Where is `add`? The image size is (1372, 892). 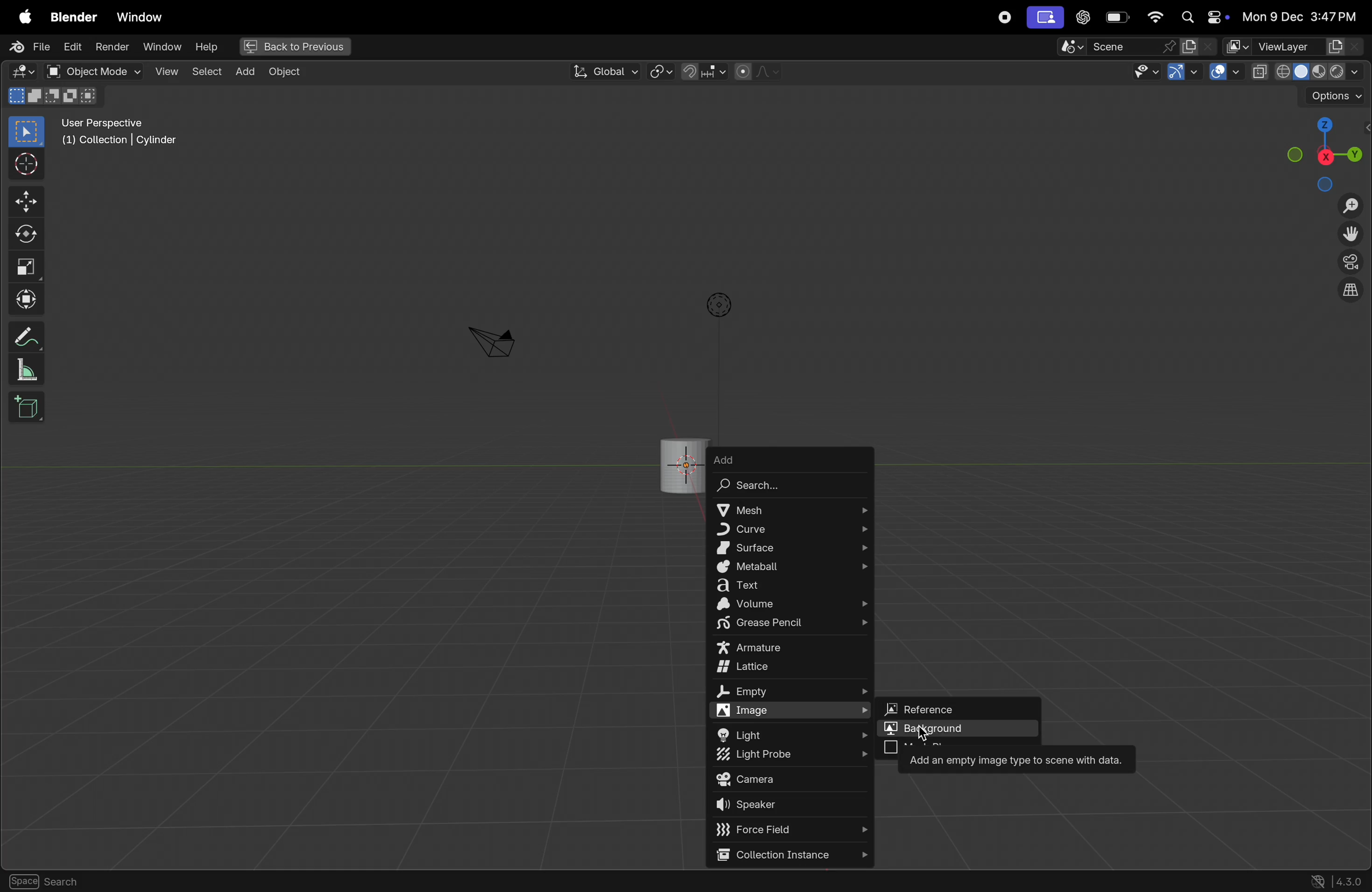
add is located at coordinates (755, 459).